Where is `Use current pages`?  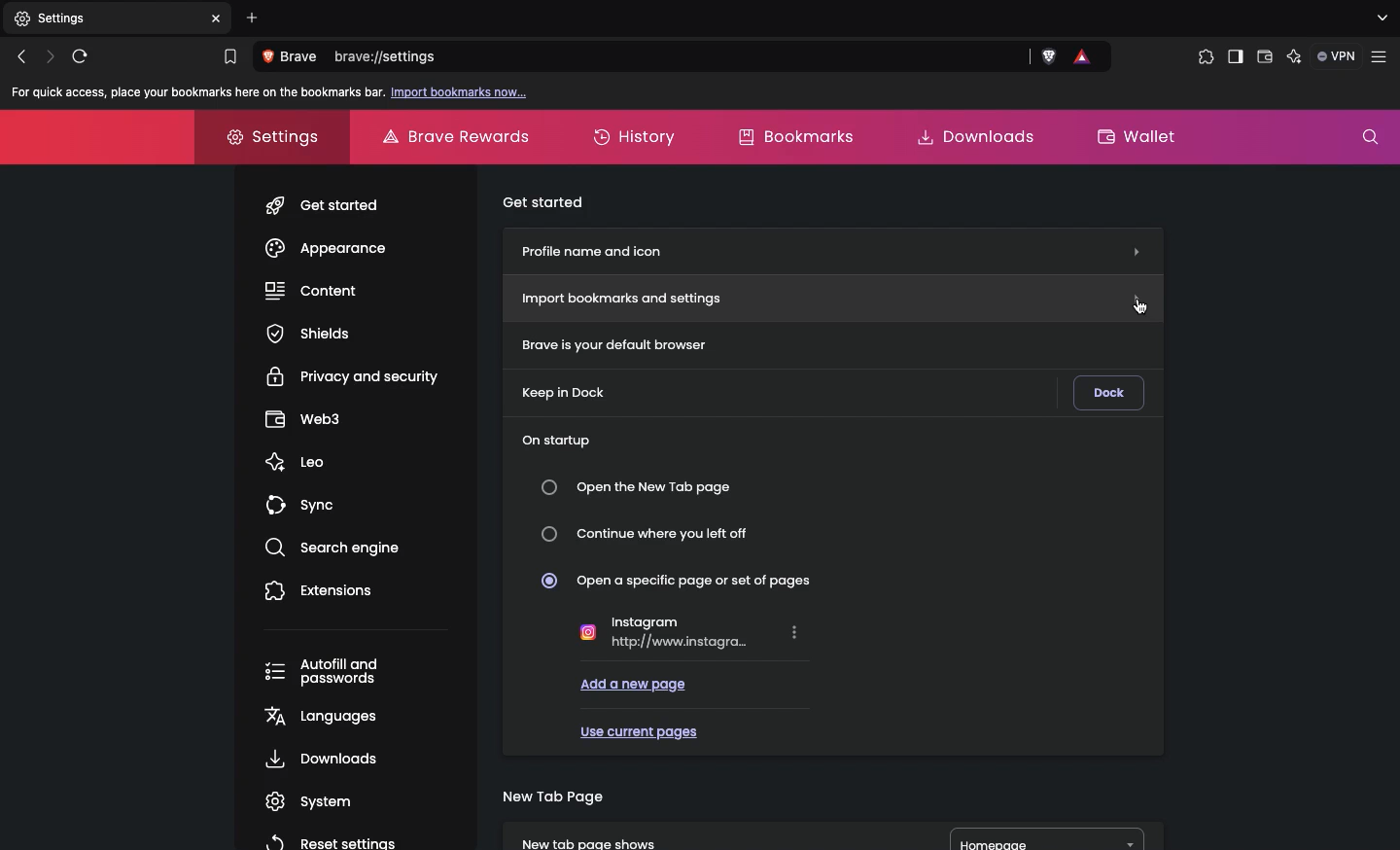 Use current pages is located at coordinates (638, 728).